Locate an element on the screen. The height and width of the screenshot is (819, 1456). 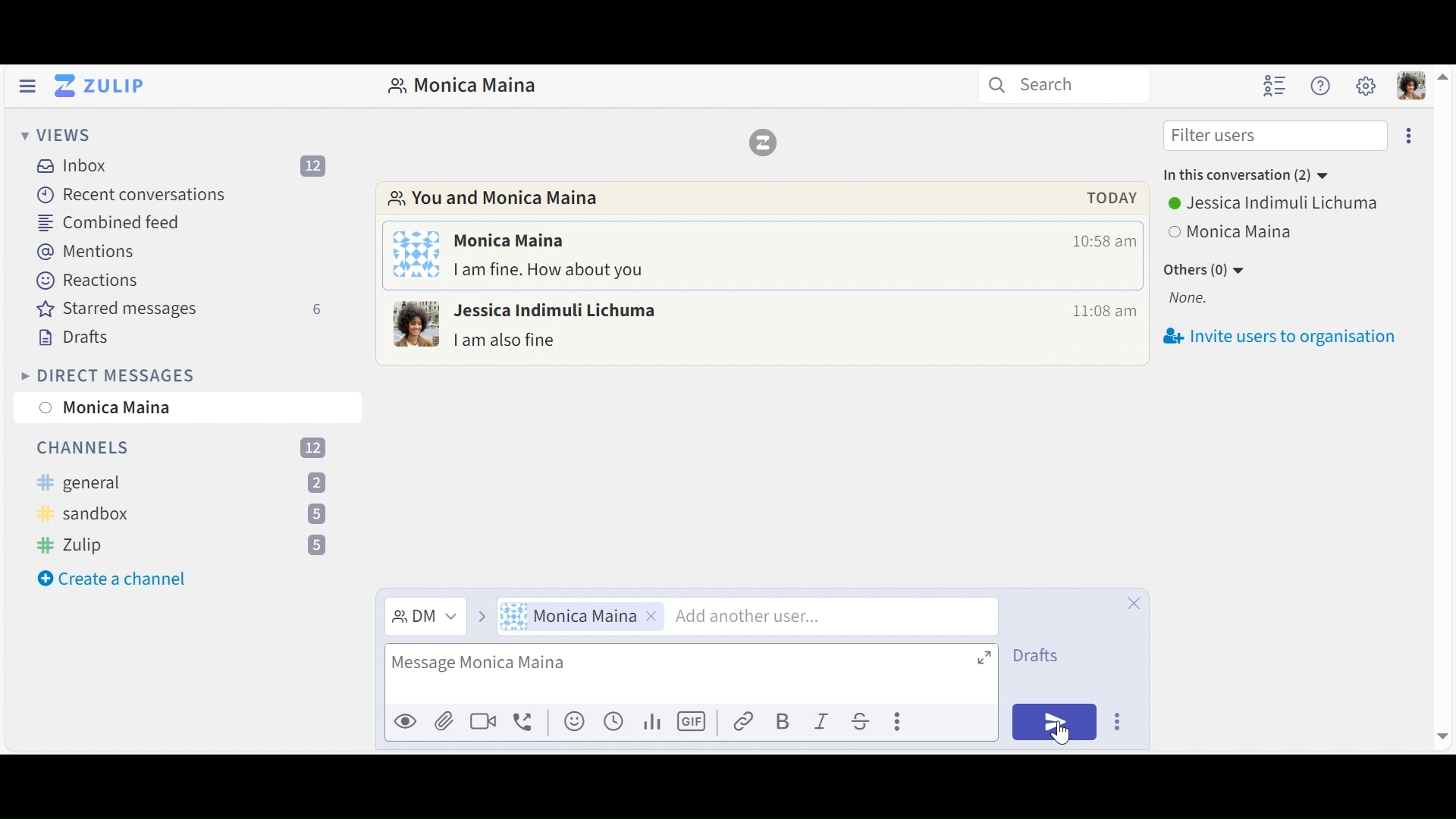
None is located at coordinates (1201, 297).